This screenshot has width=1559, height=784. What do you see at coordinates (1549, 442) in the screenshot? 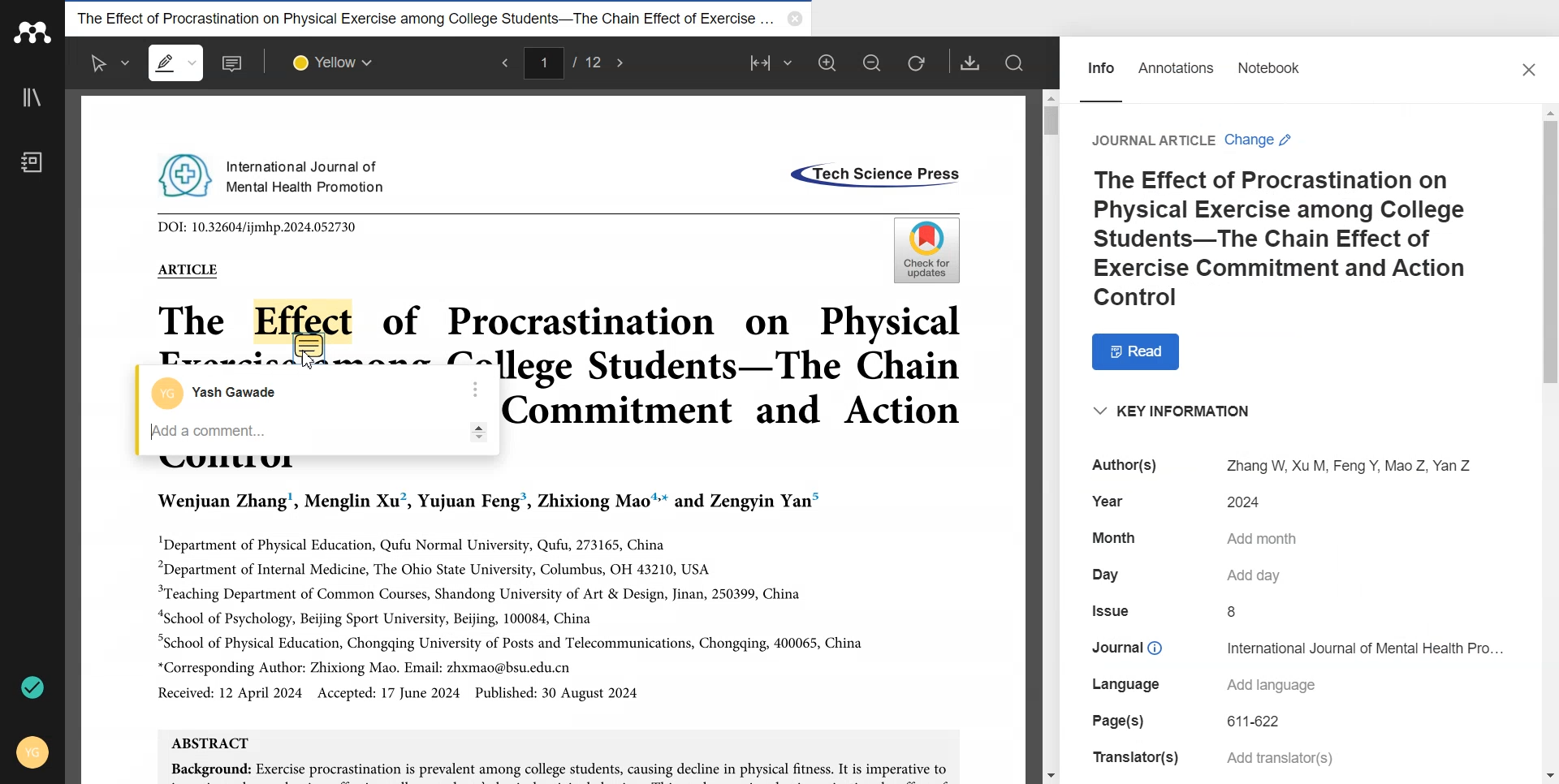
I see `Vertical scroll bar` at bounding box center [1549, 442].